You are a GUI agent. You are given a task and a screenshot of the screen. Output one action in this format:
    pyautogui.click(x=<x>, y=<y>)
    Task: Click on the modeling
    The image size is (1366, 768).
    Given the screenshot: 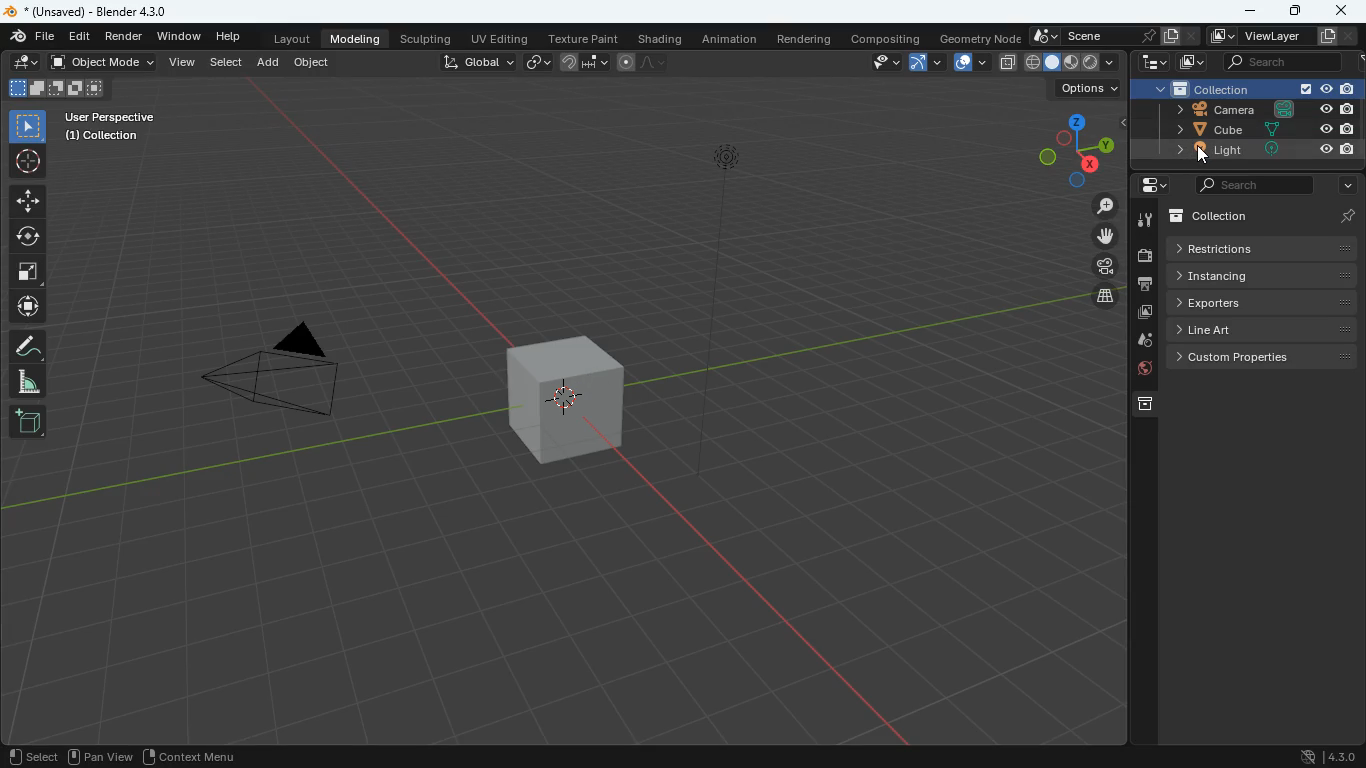 What is the action you would take?
    pyautogui.click(x=357, y=38)
    